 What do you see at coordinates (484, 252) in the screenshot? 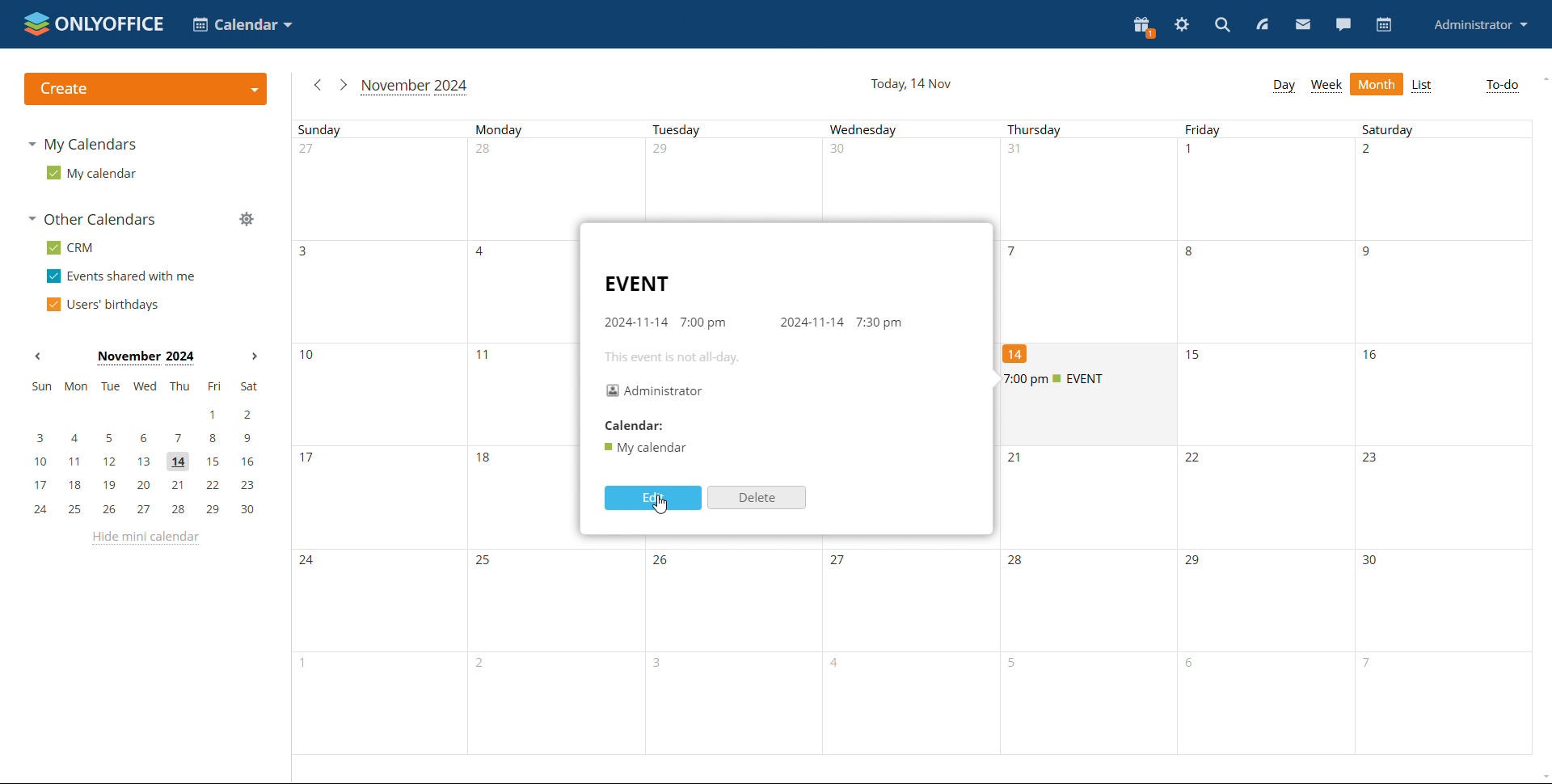
I see `number` at bounding box center [484, 252].